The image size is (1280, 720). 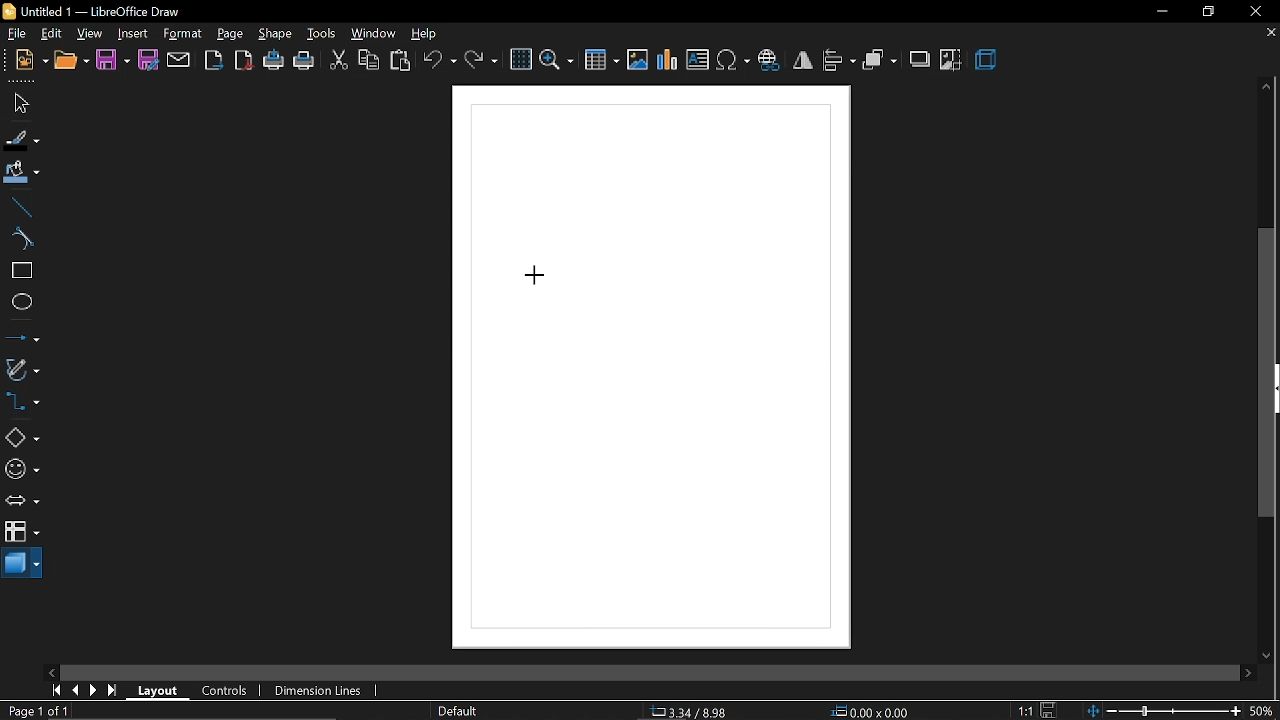 I want to click on move down, so click(x=1267, y=657).